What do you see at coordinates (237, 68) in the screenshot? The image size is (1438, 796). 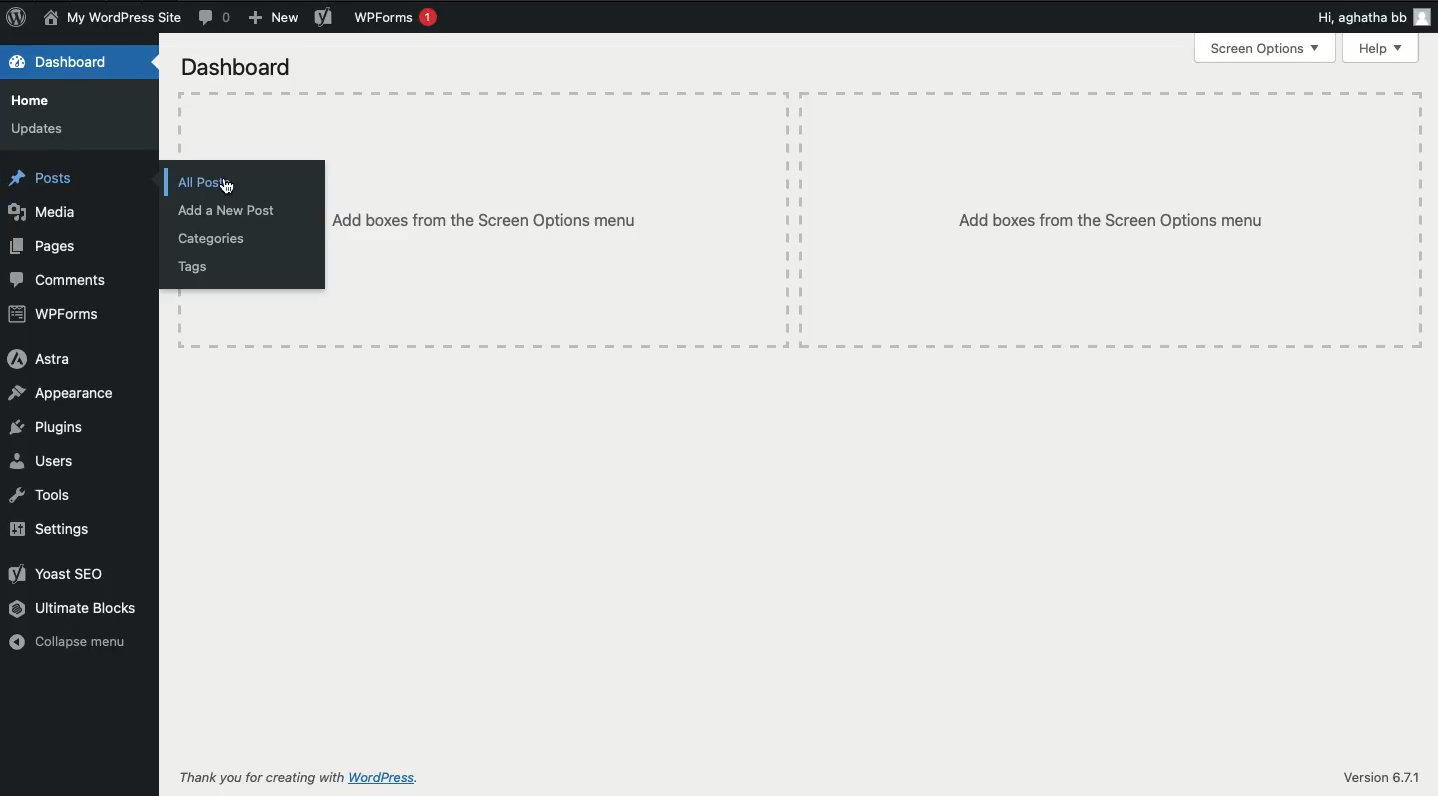 I see `Dashboard` at bounding box center [237, 68].